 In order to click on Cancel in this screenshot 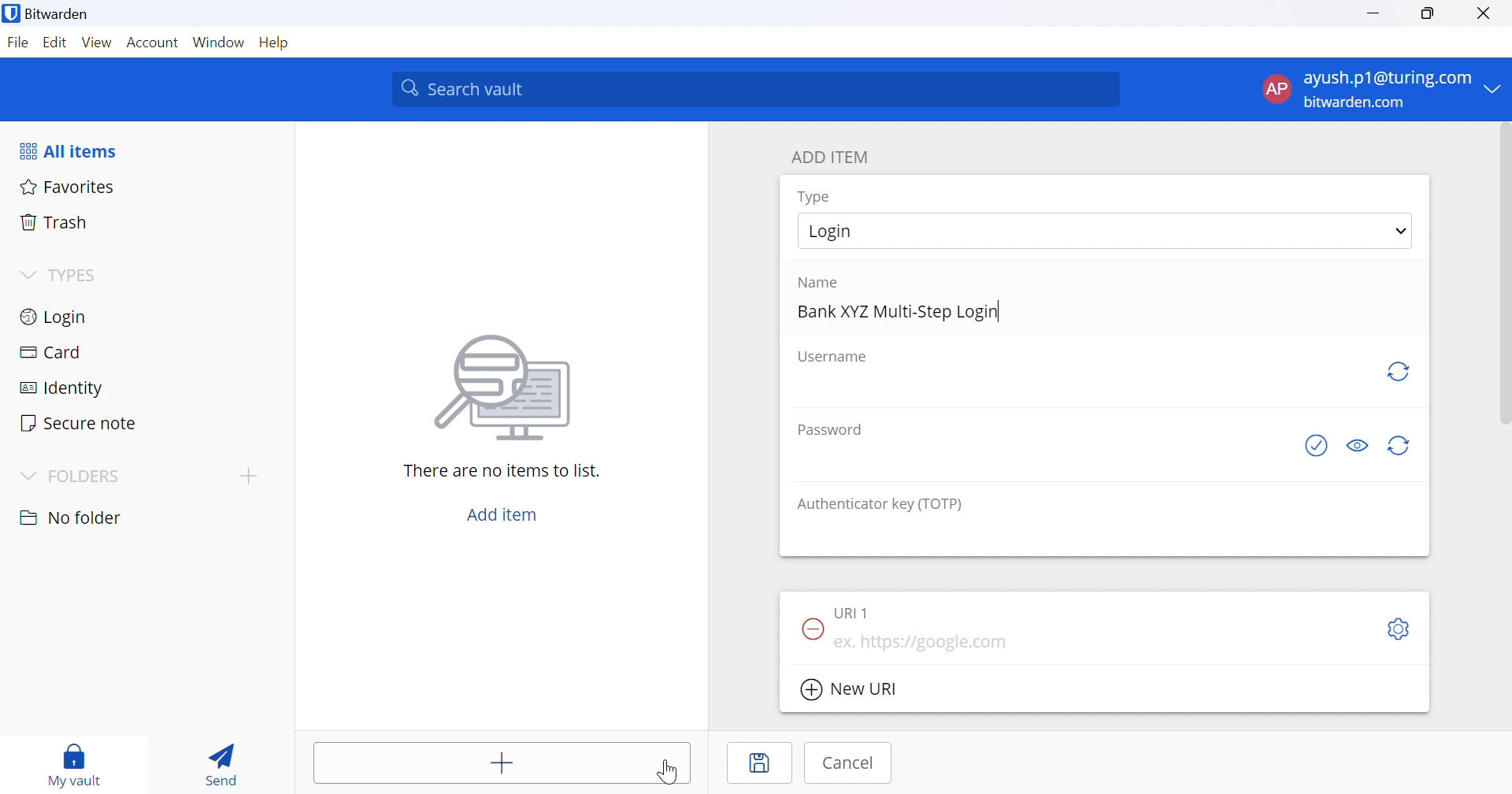, I will do `click(847, 763)`.